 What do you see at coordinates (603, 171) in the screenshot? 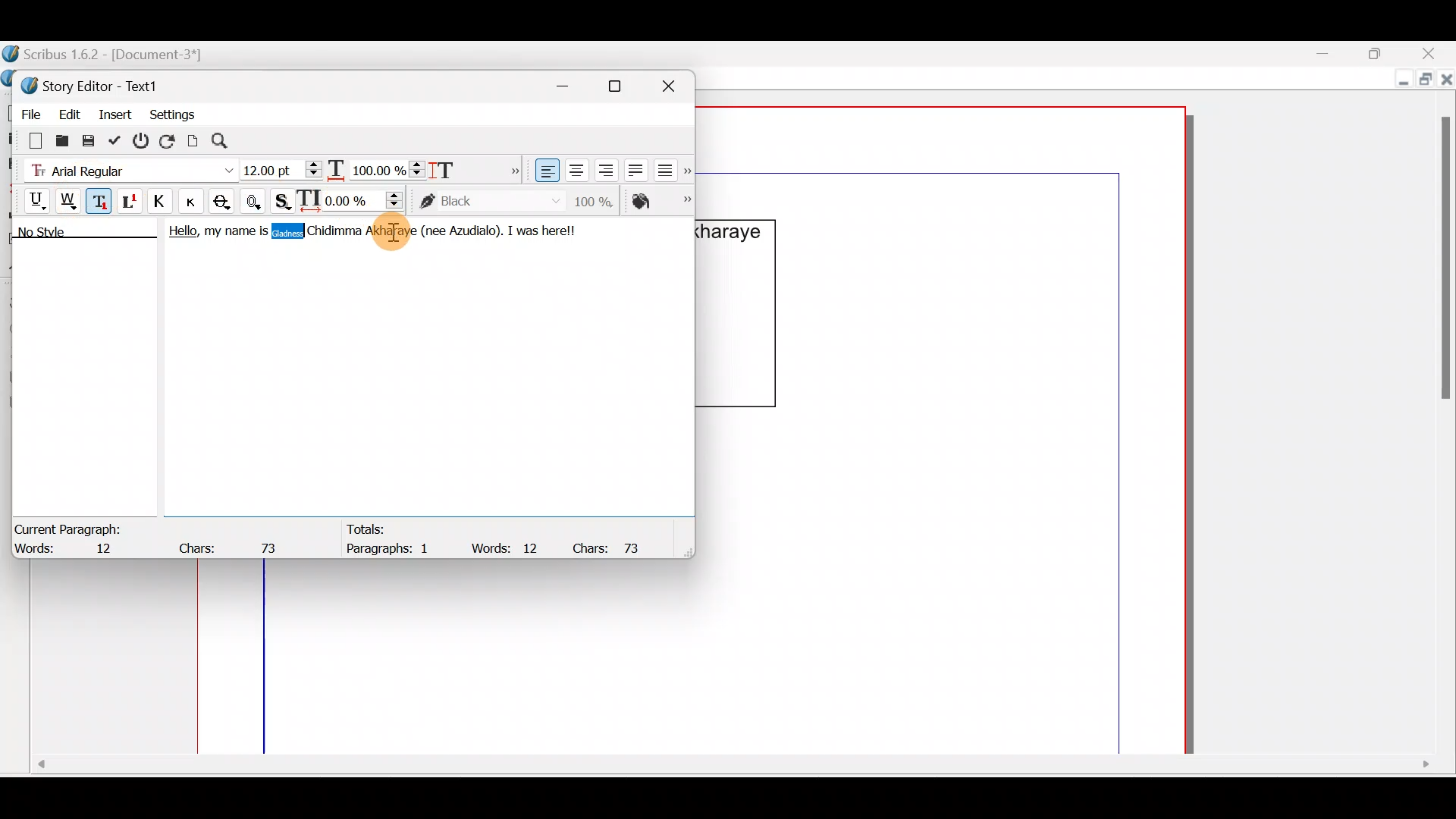
I see `Align text right` at bounding box center [603, 171].